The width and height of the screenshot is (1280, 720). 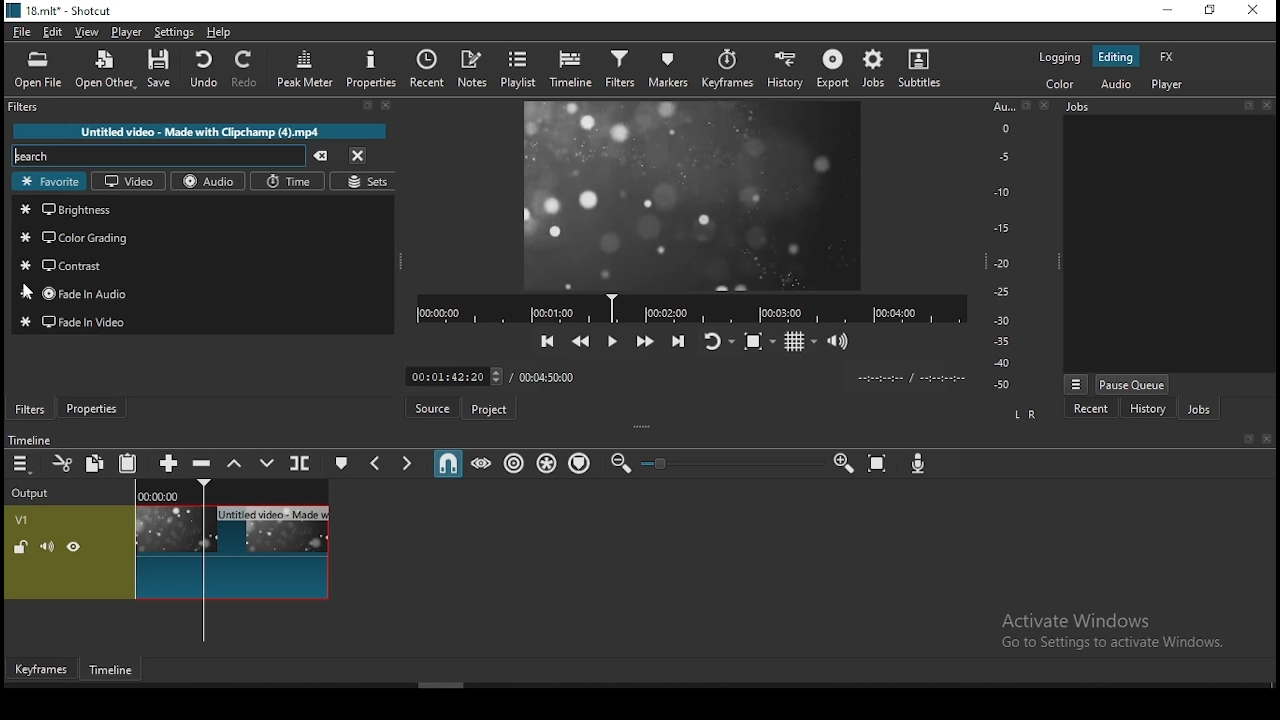 What do you see at coordinates (22, 462) in the screenshot?
I see `timeline settings` at bounding box center [22, 462].